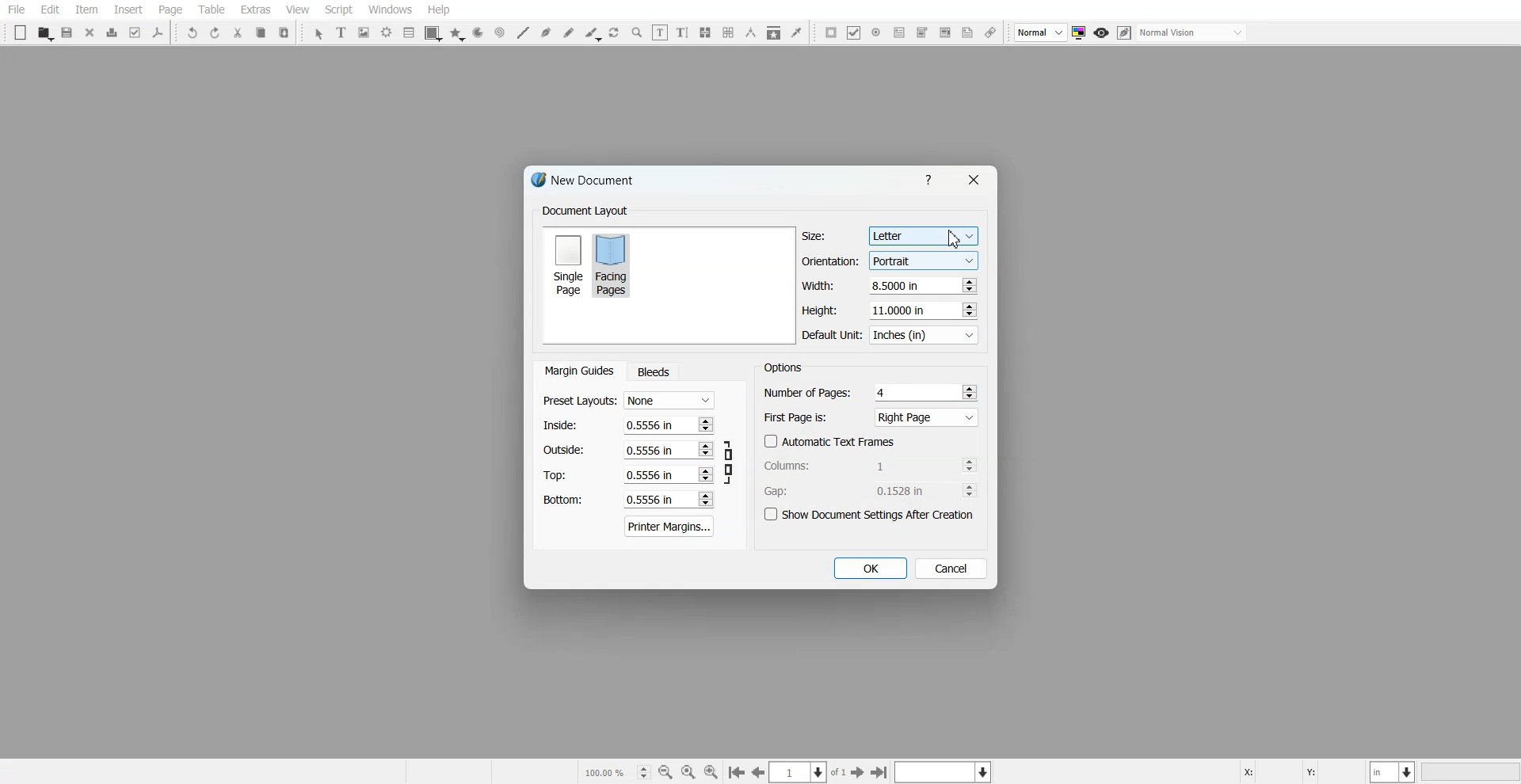 The width and height of the screenshot is (1521, 784). Describe the element at coordinates (17, 10) in the screenshot. I see `File` at that location.